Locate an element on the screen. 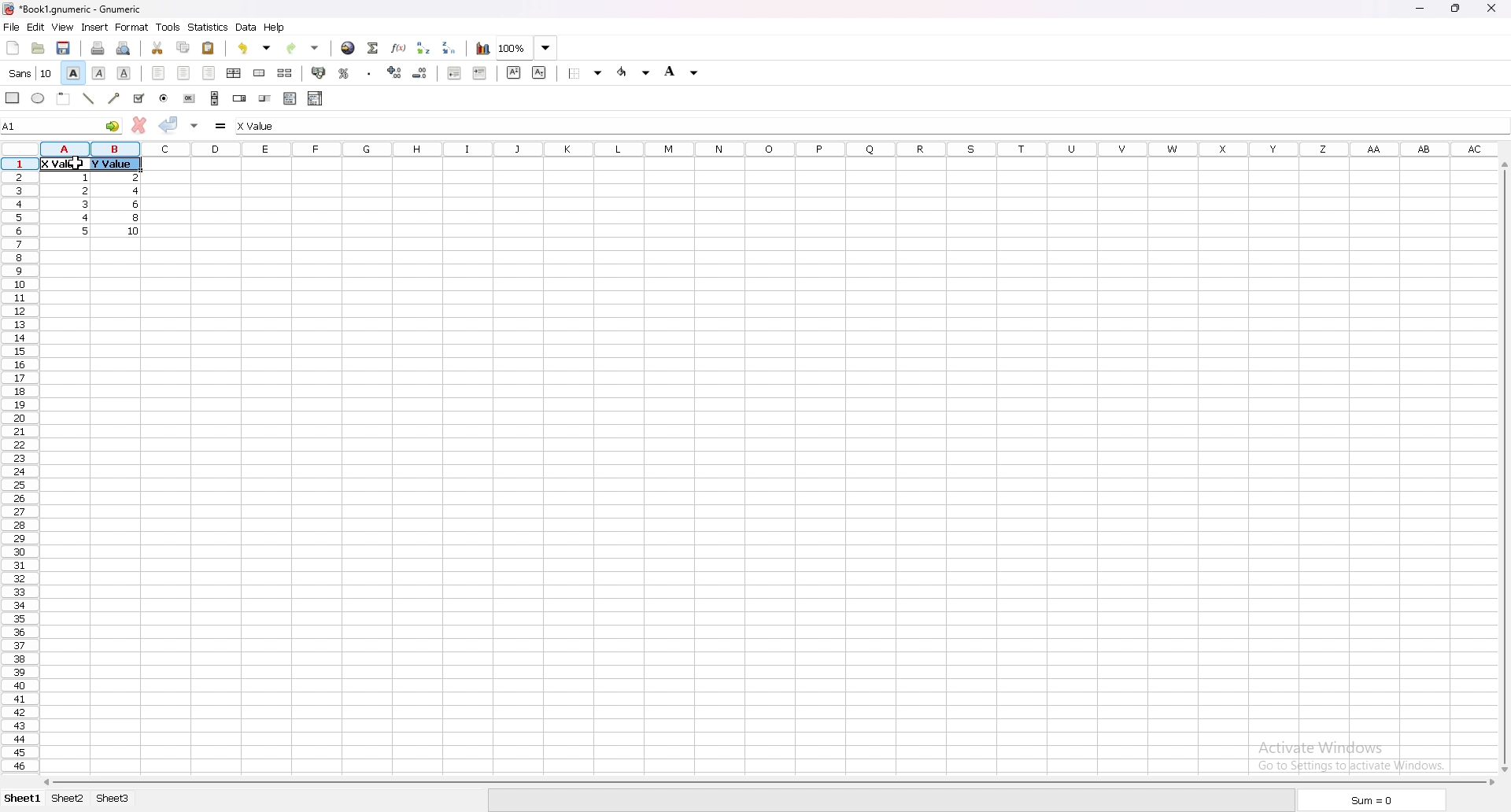  edit is located at coordinates (35, 27).